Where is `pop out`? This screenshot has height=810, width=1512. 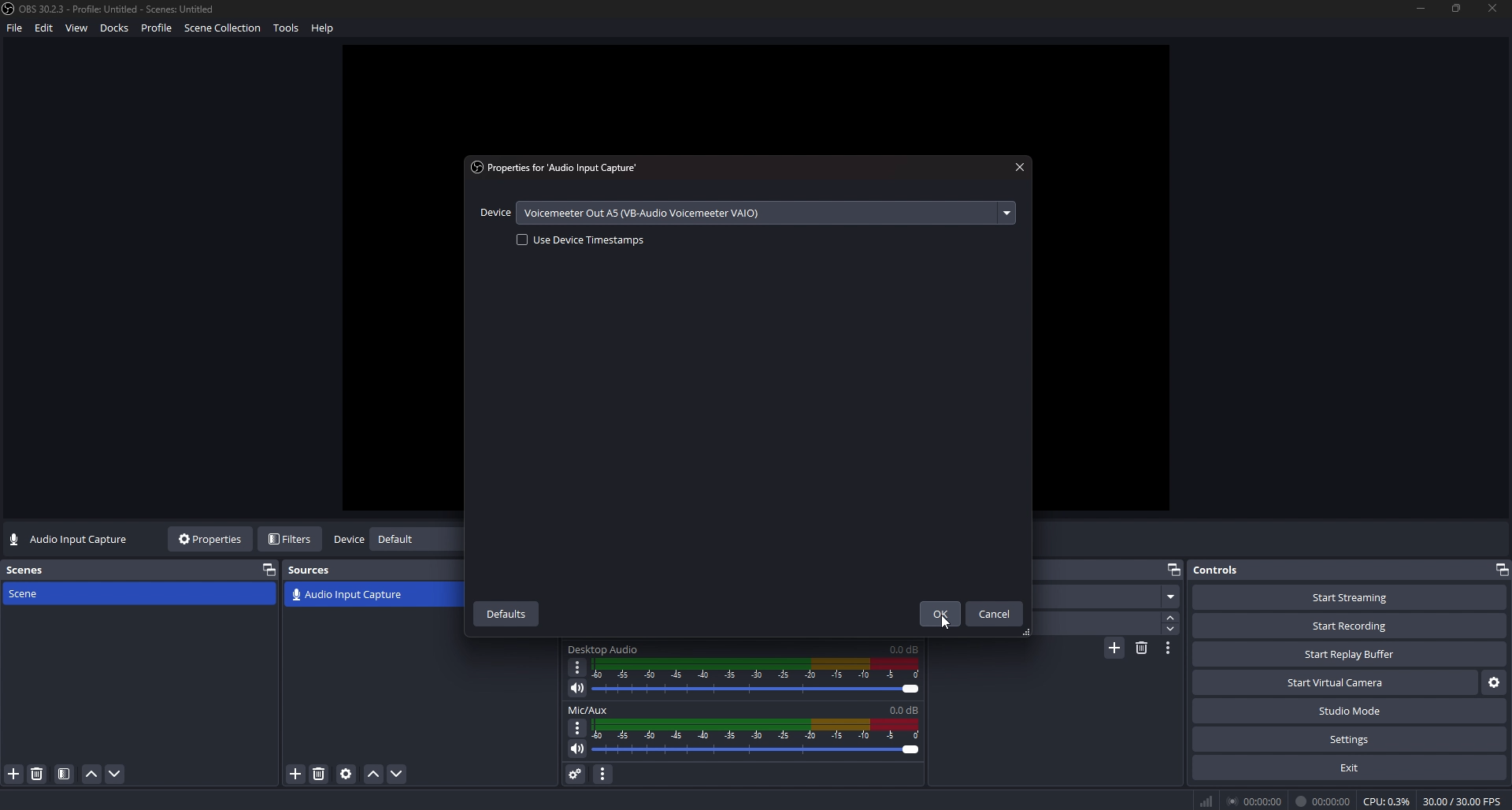 pop out is located at coordinates (1174, 568).